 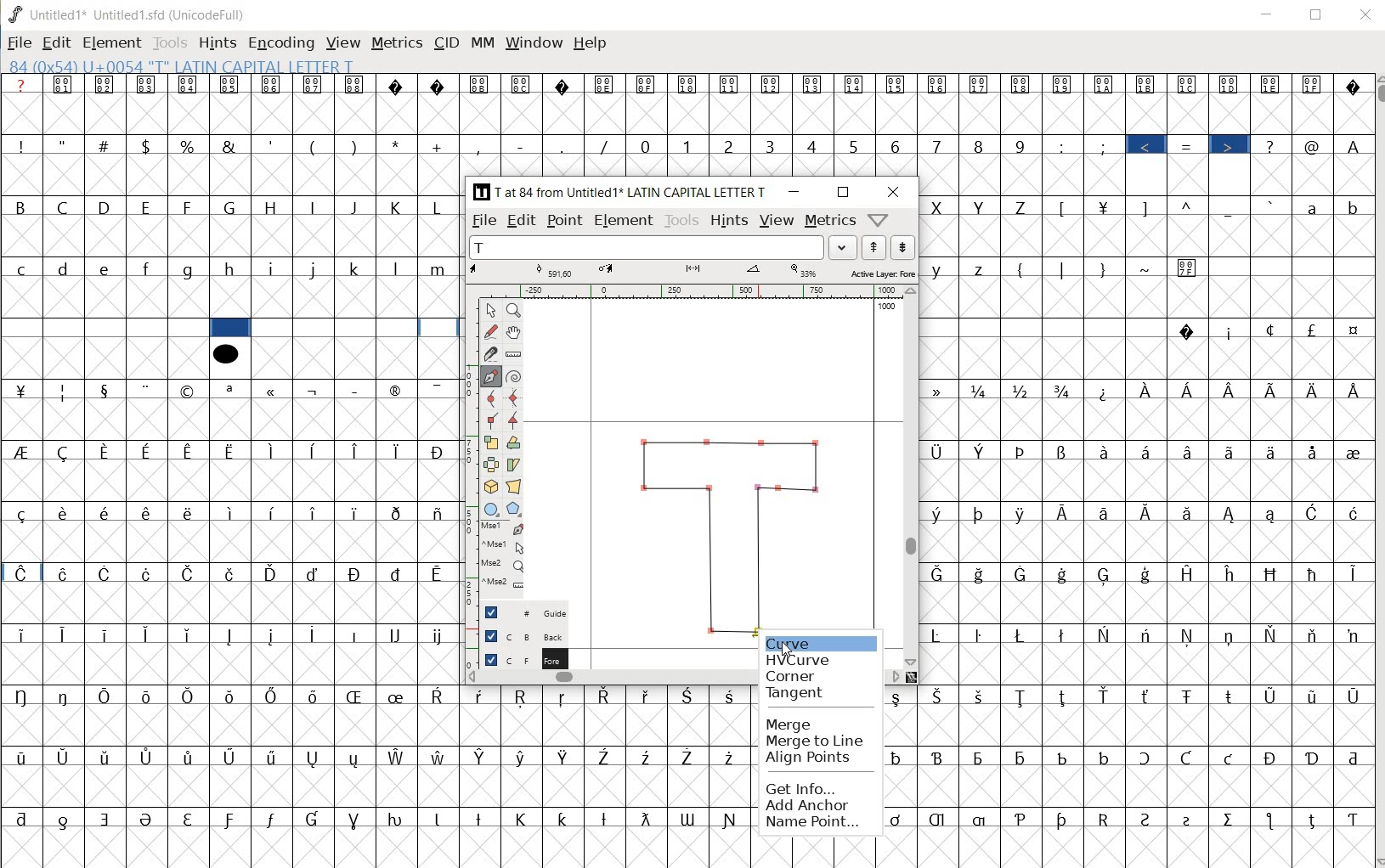 What do you see at coordinates (105, 511) in the screenshot?
I see `Symbol` at bounding box center [105, 511].